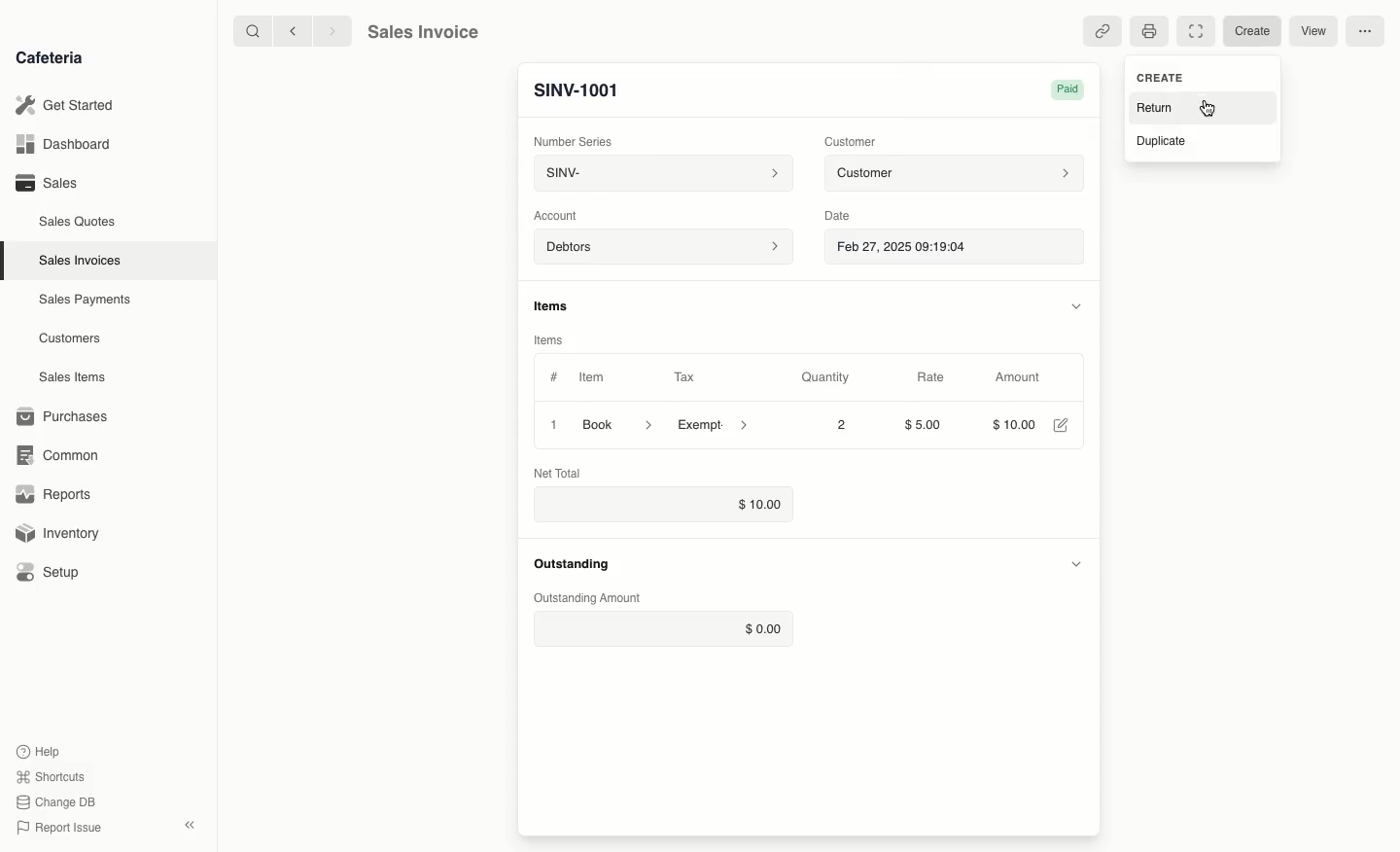  Describe the element at coordinates (192, 825) in the screenshot. I see `Collapse` at that location.